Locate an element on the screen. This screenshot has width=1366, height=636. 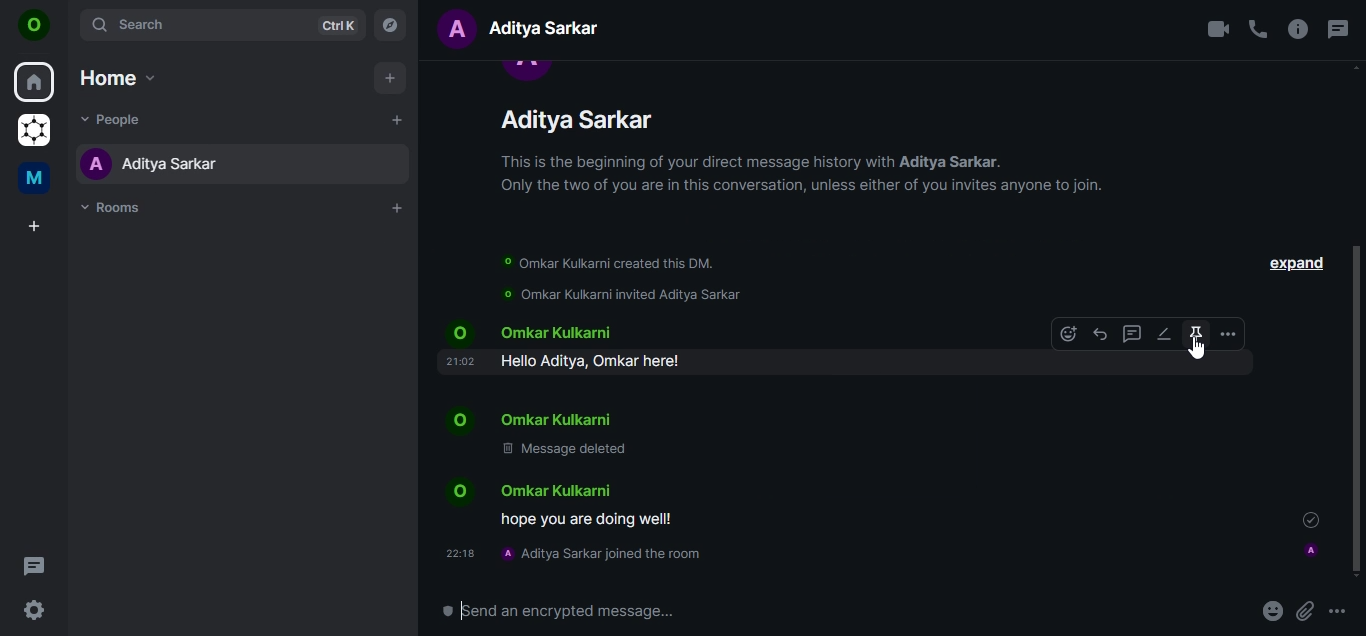
scroll bar is located at coordinates (1355, 407).